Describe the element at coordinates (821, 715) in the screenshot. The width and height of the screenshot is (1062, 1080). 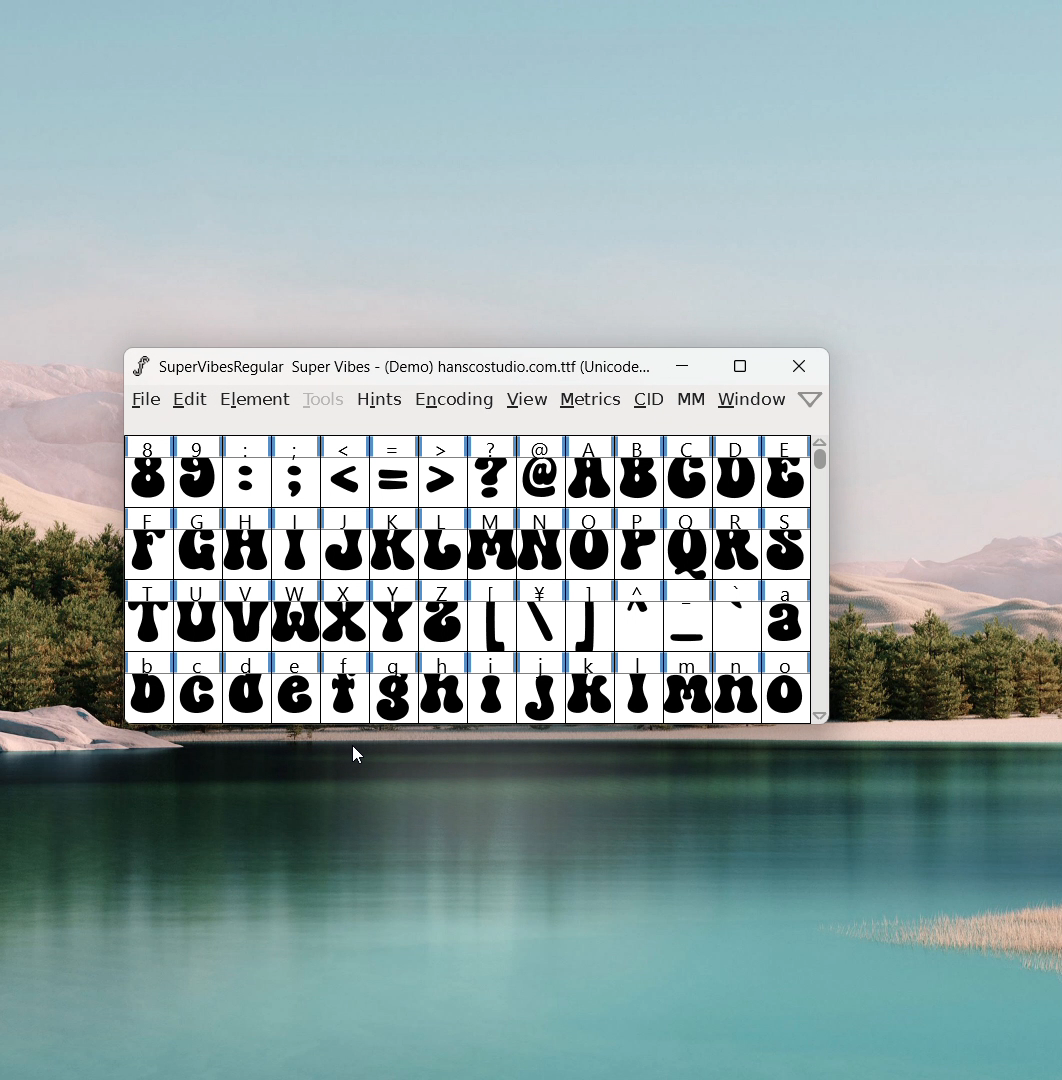
I see `scroll down` at that location.